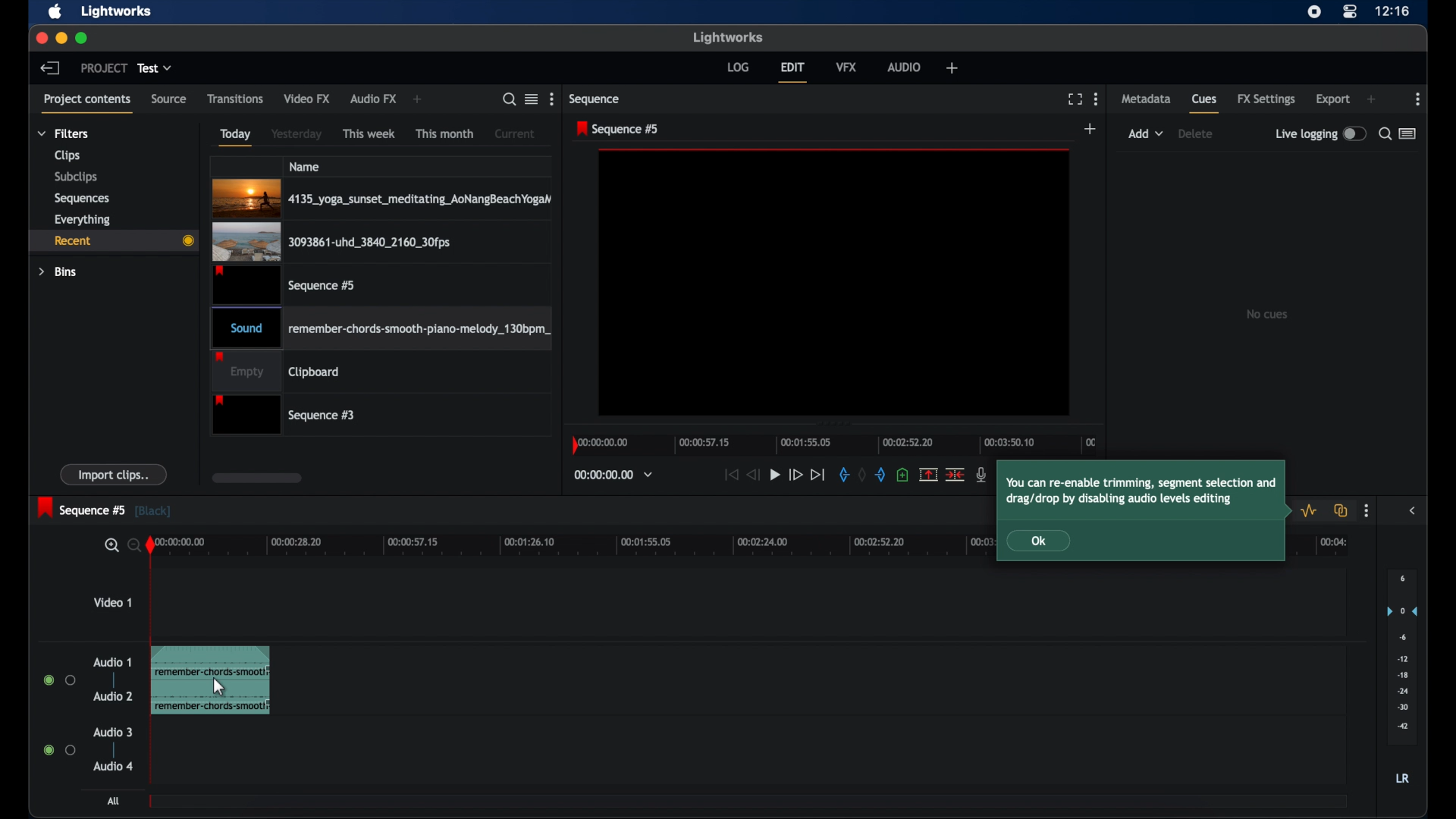 Image resolution: width=1456 pixels, height=819 pixels. What do you see at coordinates (775, 475) in the screenshot?
I see `play ` at bounding box center [775, 475].